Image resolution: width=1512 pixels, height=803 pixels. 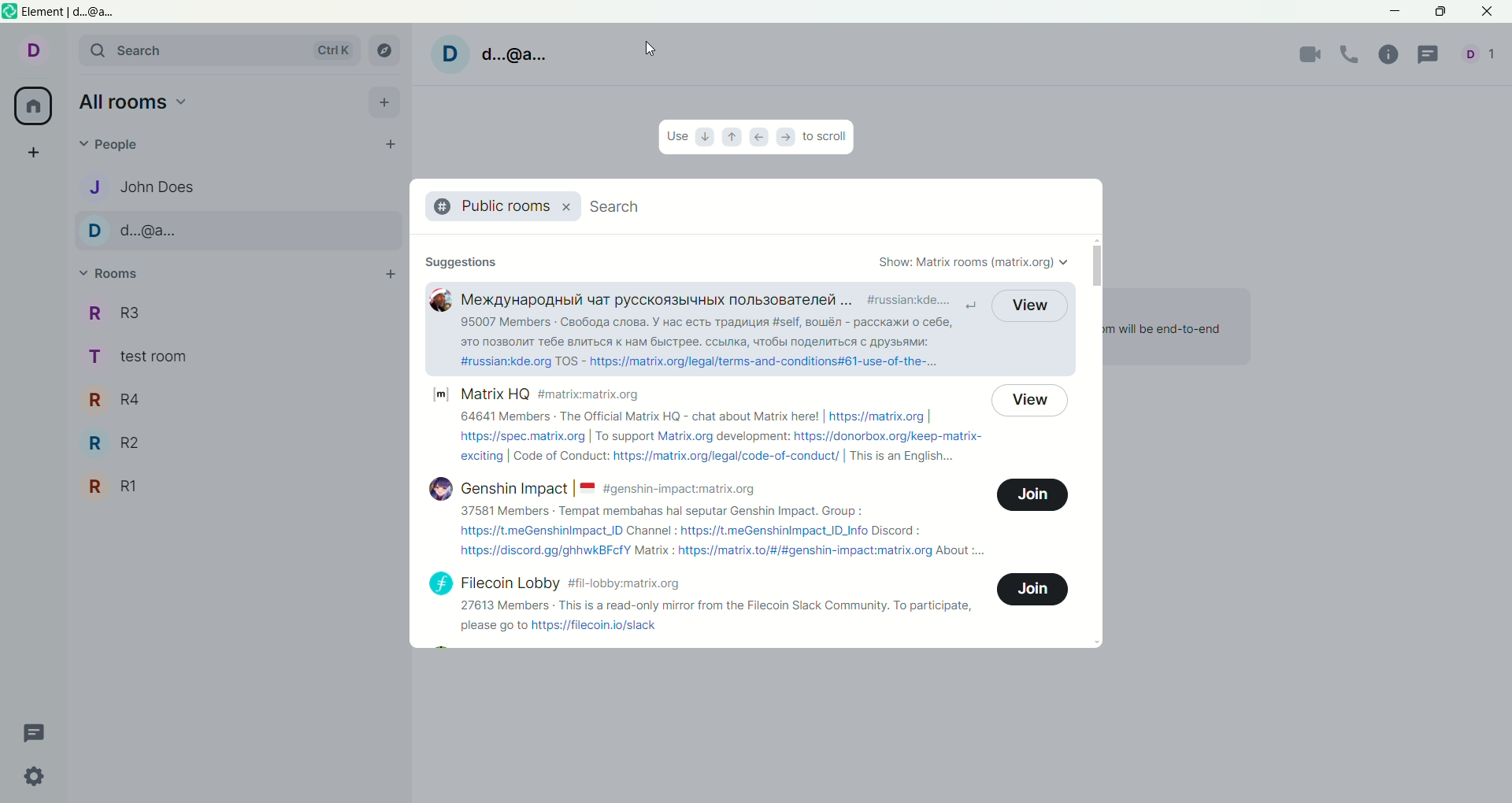 What do you see at coordinates (661, 511) in the screenshot?
I see `37581 Members - Tempat membahas hal seputar Genshin Impact. Group :` at bounding box center [661, 511].